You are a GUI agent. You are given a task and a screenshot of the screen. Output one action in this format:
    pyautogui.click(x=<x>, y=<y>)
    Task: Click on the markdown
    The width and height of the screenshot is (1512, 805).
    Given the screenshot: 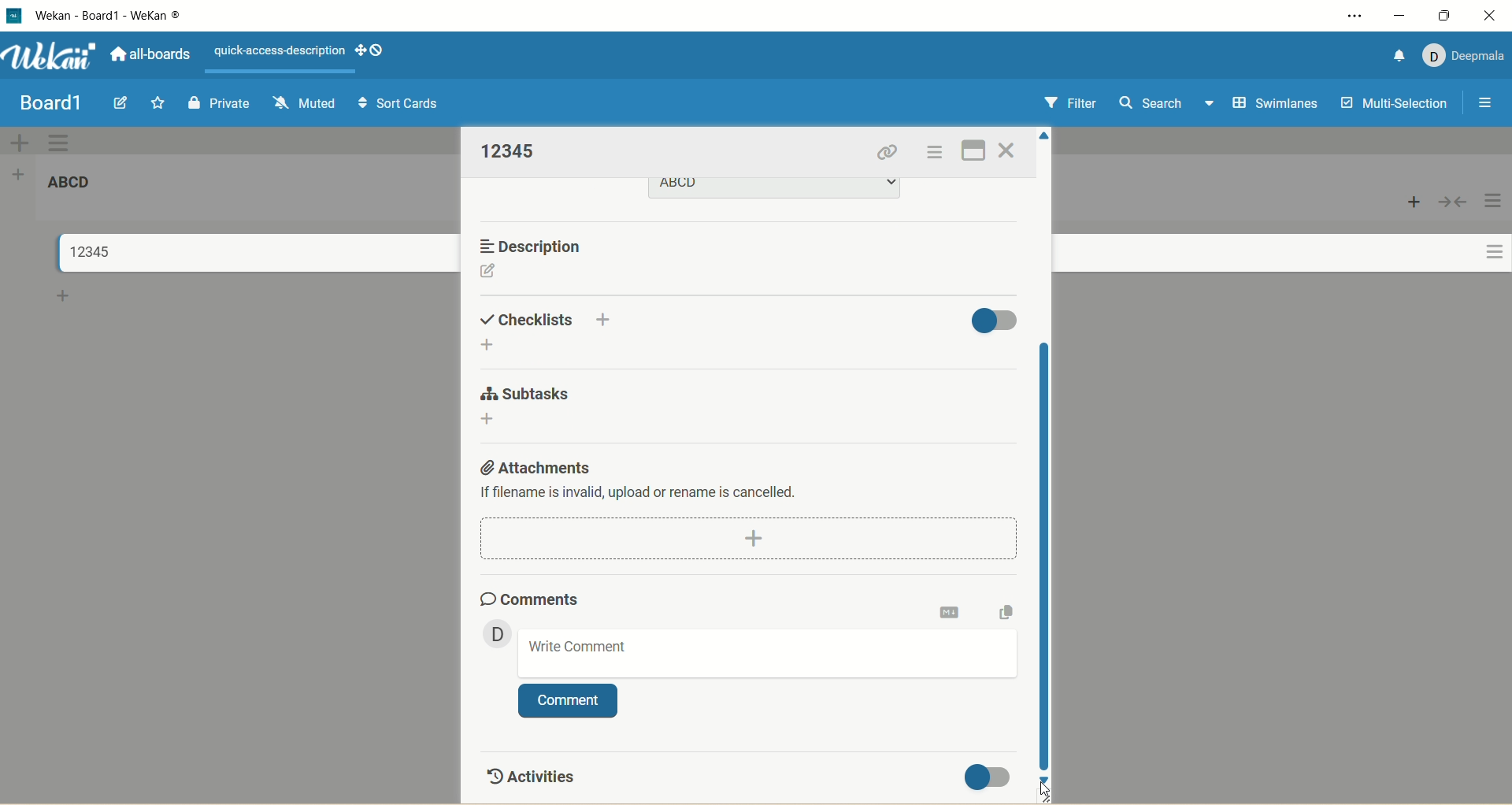 What is the action you would take?
    pyautogui.click(x=951, y=610)
    